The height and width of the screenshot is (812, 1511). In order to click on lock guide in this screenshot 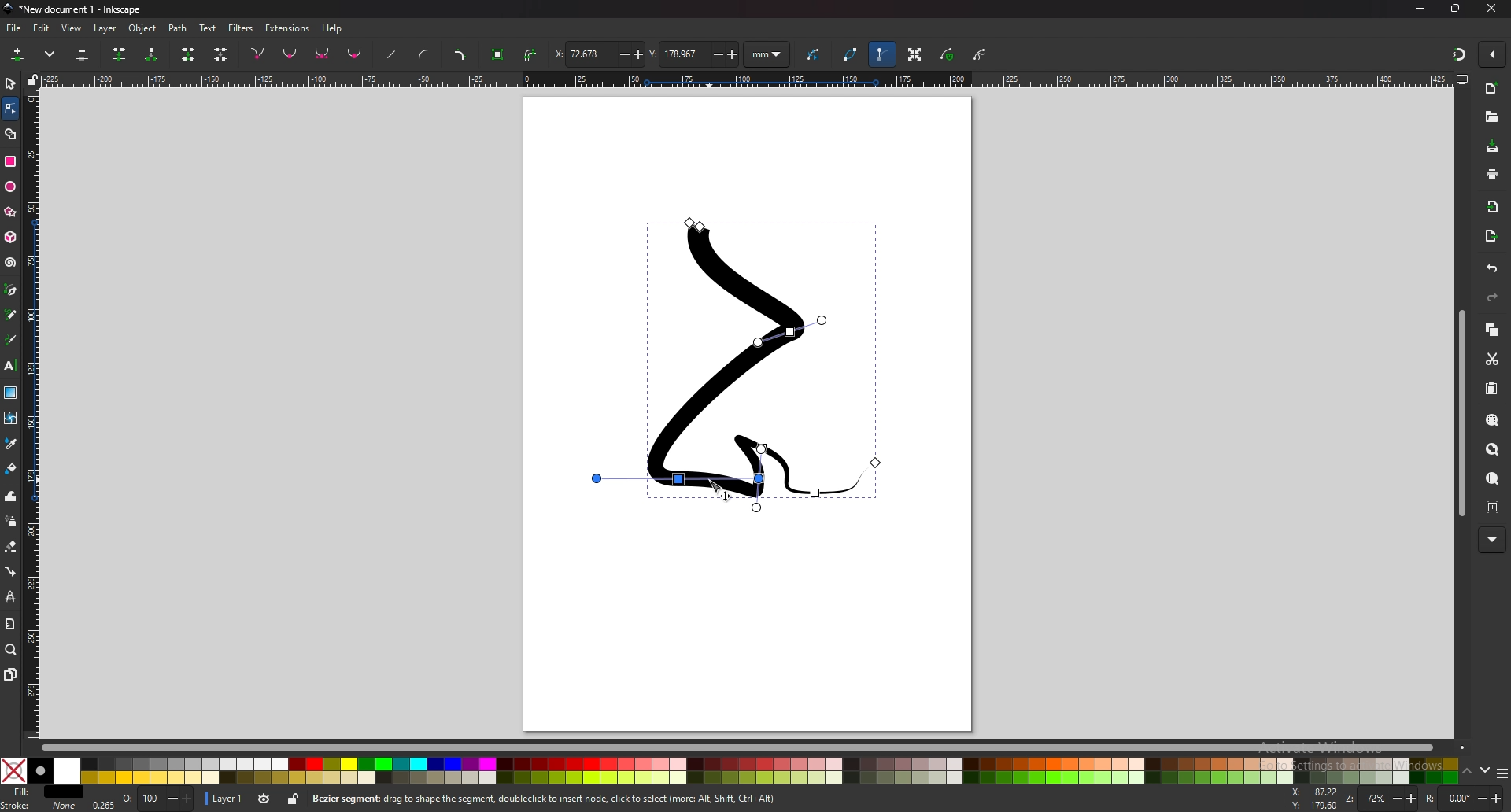, I will do `click(31, 79)`.